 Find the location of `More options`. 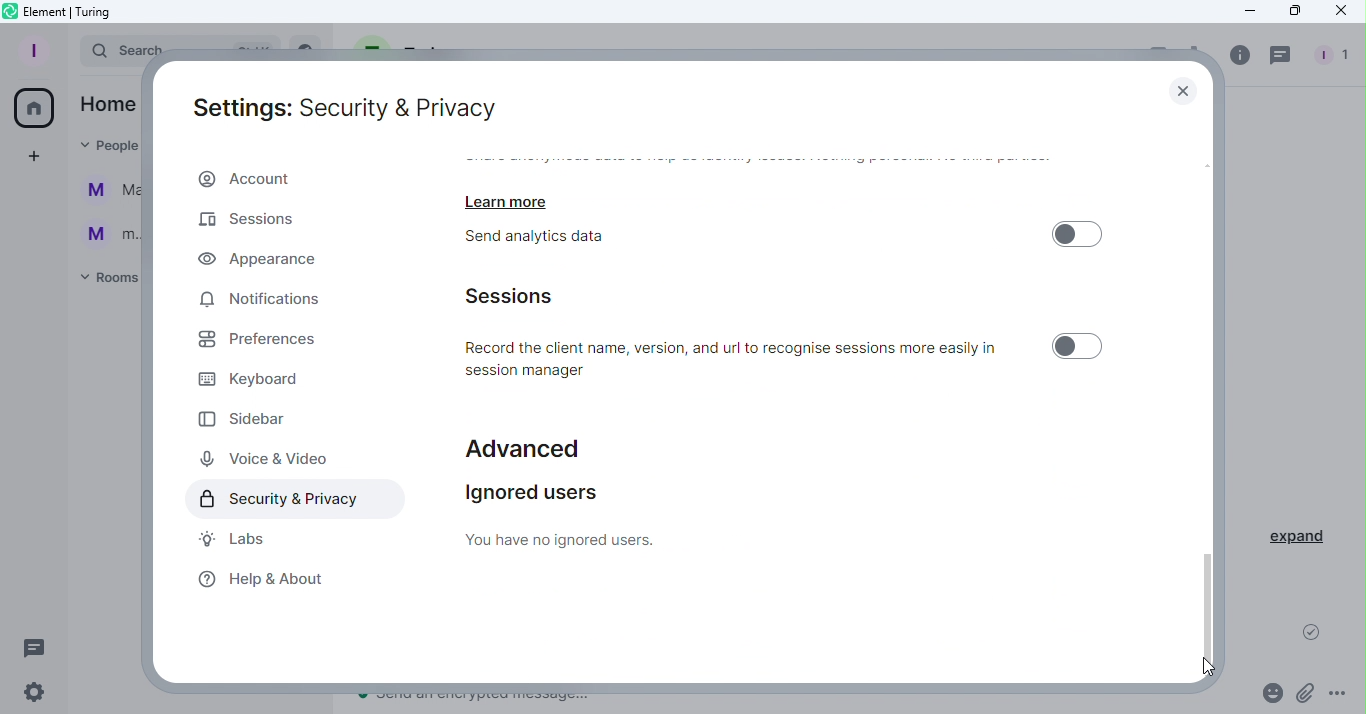

More options is located at coordinates (1340, 696).